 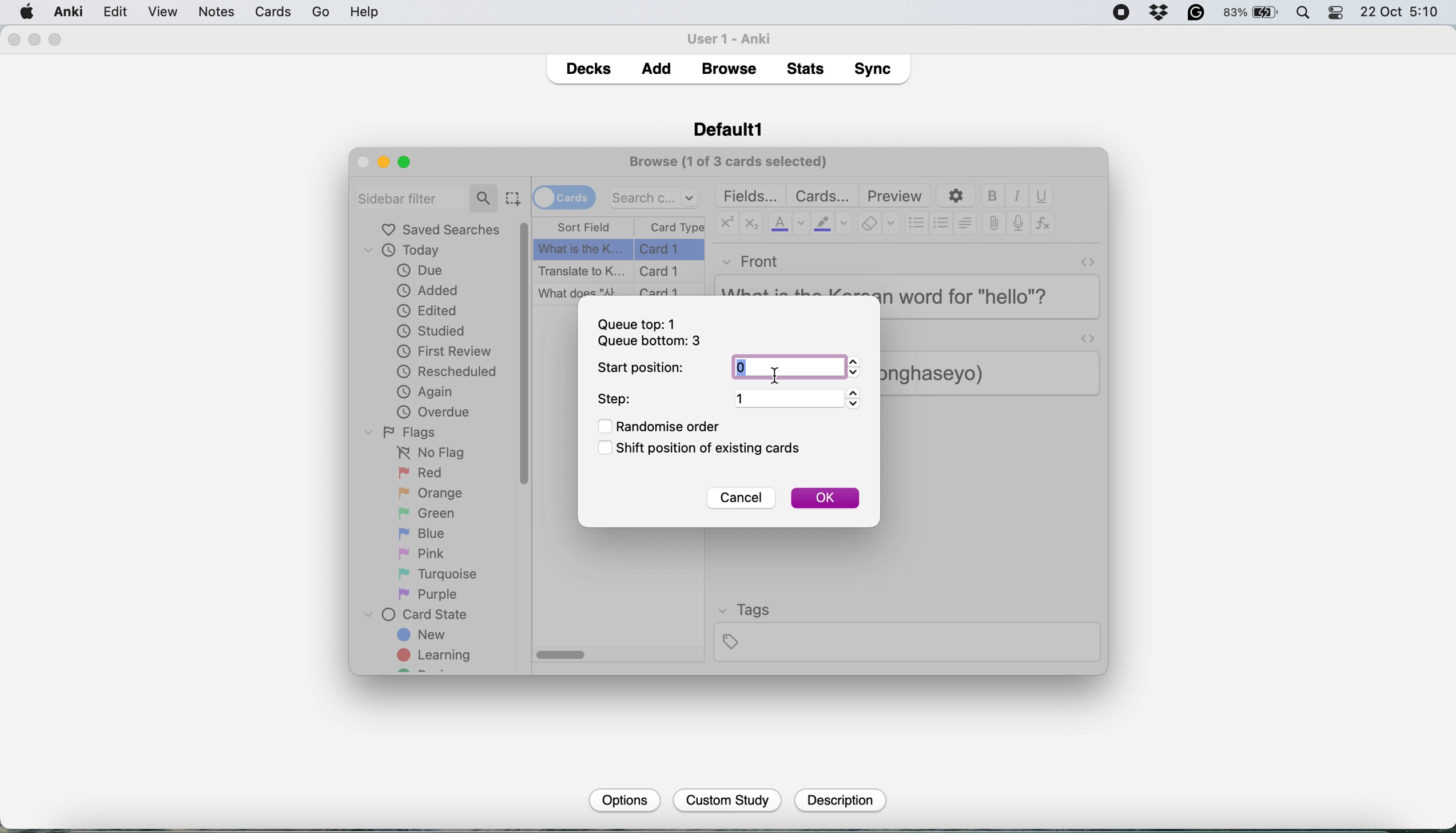 I want to click on tools, so click(x=253, y=11).